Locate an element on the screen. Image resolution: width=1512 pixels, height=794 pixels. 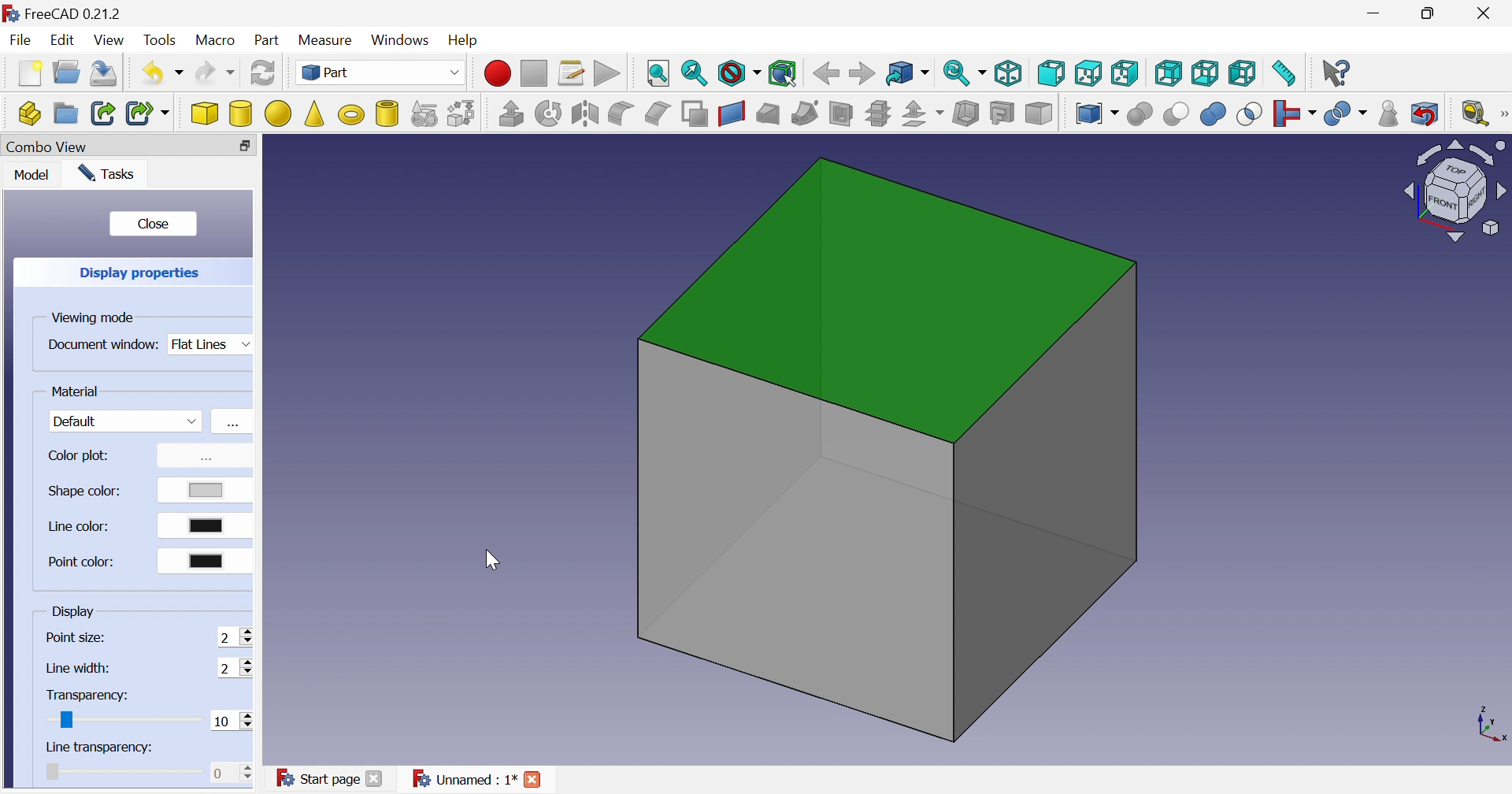
Split objects is located at coordinates (1347, 115).